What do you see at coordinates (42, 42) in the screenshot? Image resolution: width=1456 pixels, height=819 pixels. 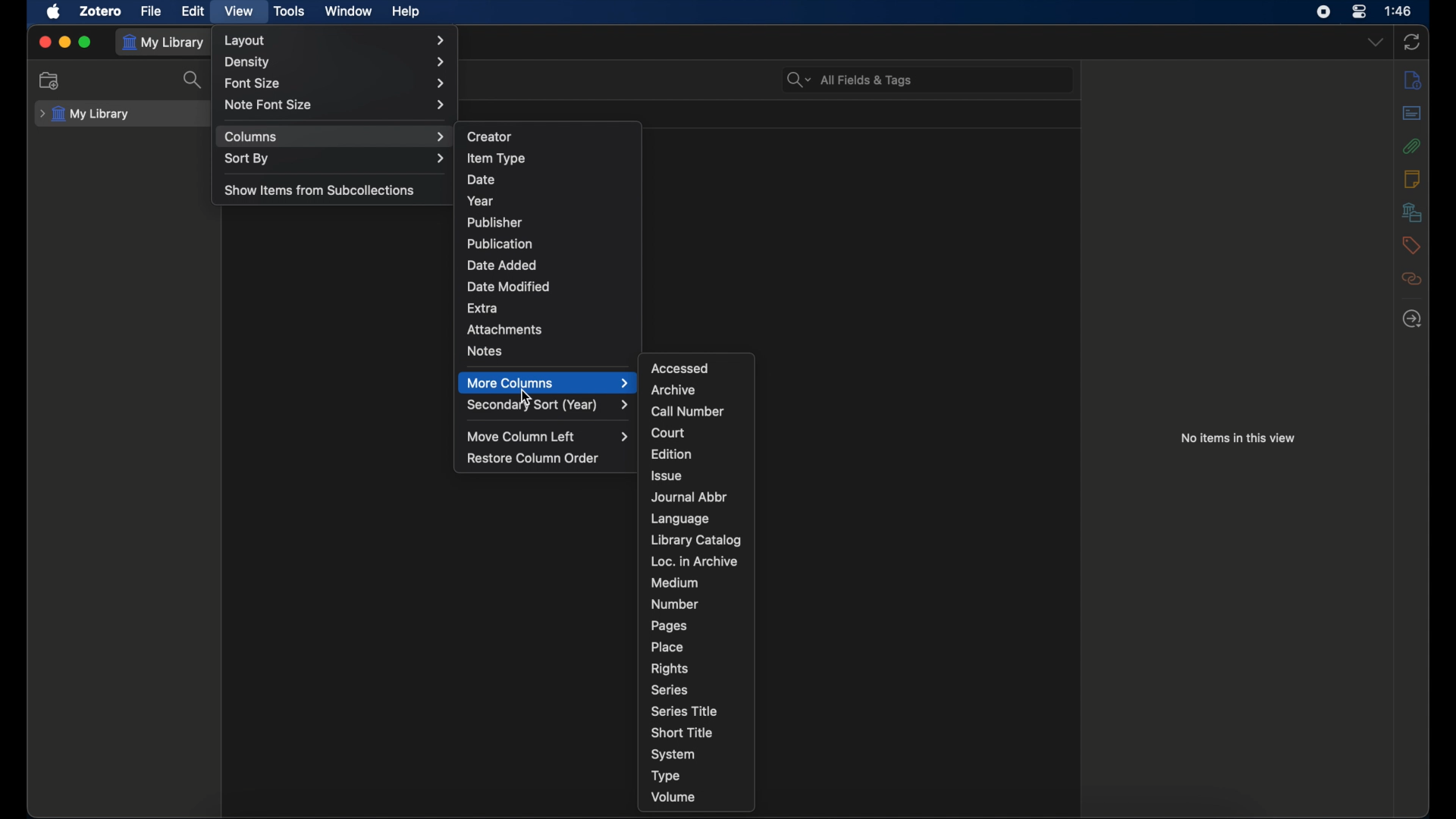 I see `close` at bounding box center [42, 42].